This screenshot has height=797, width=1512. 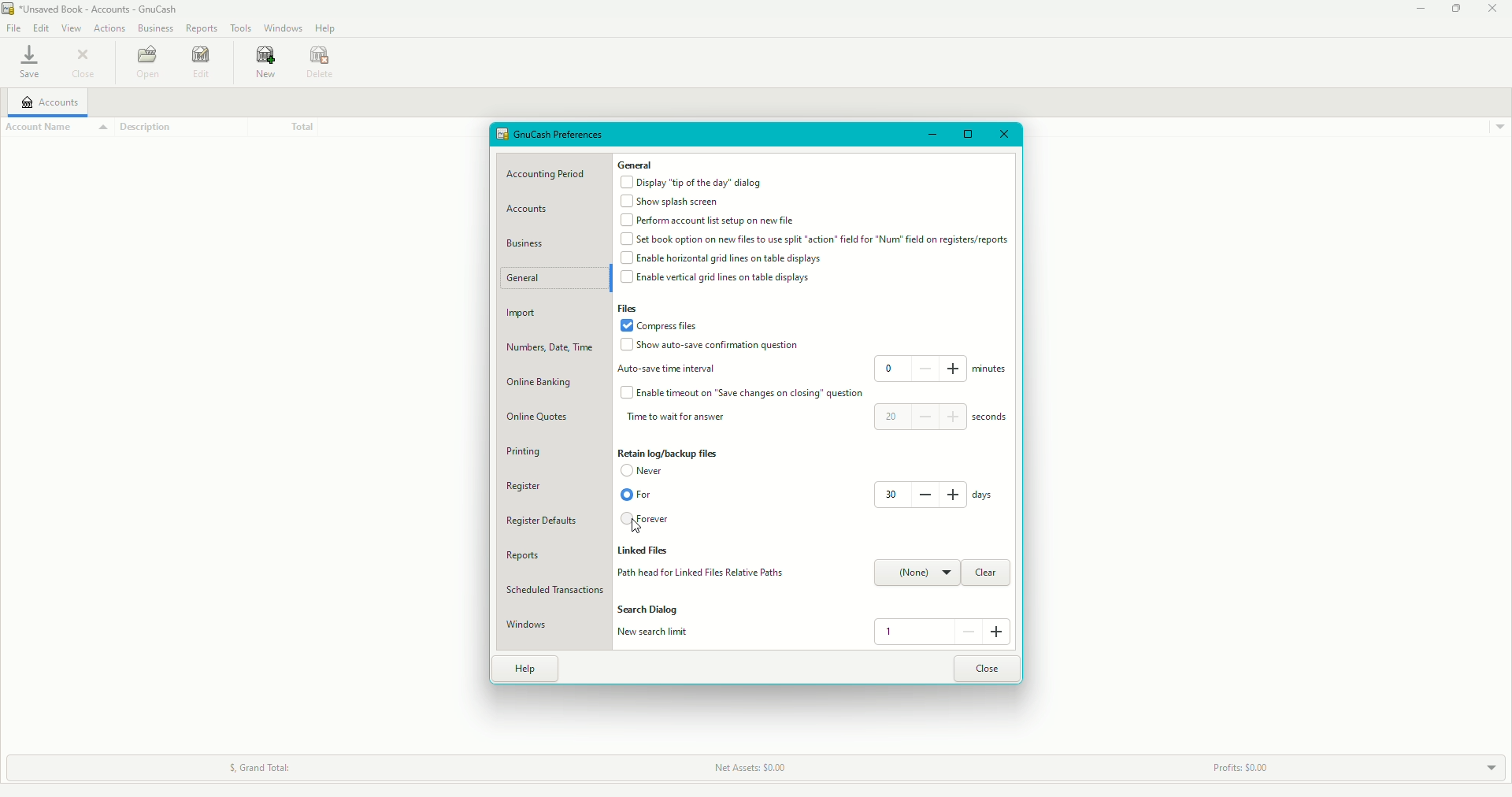 I want to click on Files, so click(x=629, y=310).